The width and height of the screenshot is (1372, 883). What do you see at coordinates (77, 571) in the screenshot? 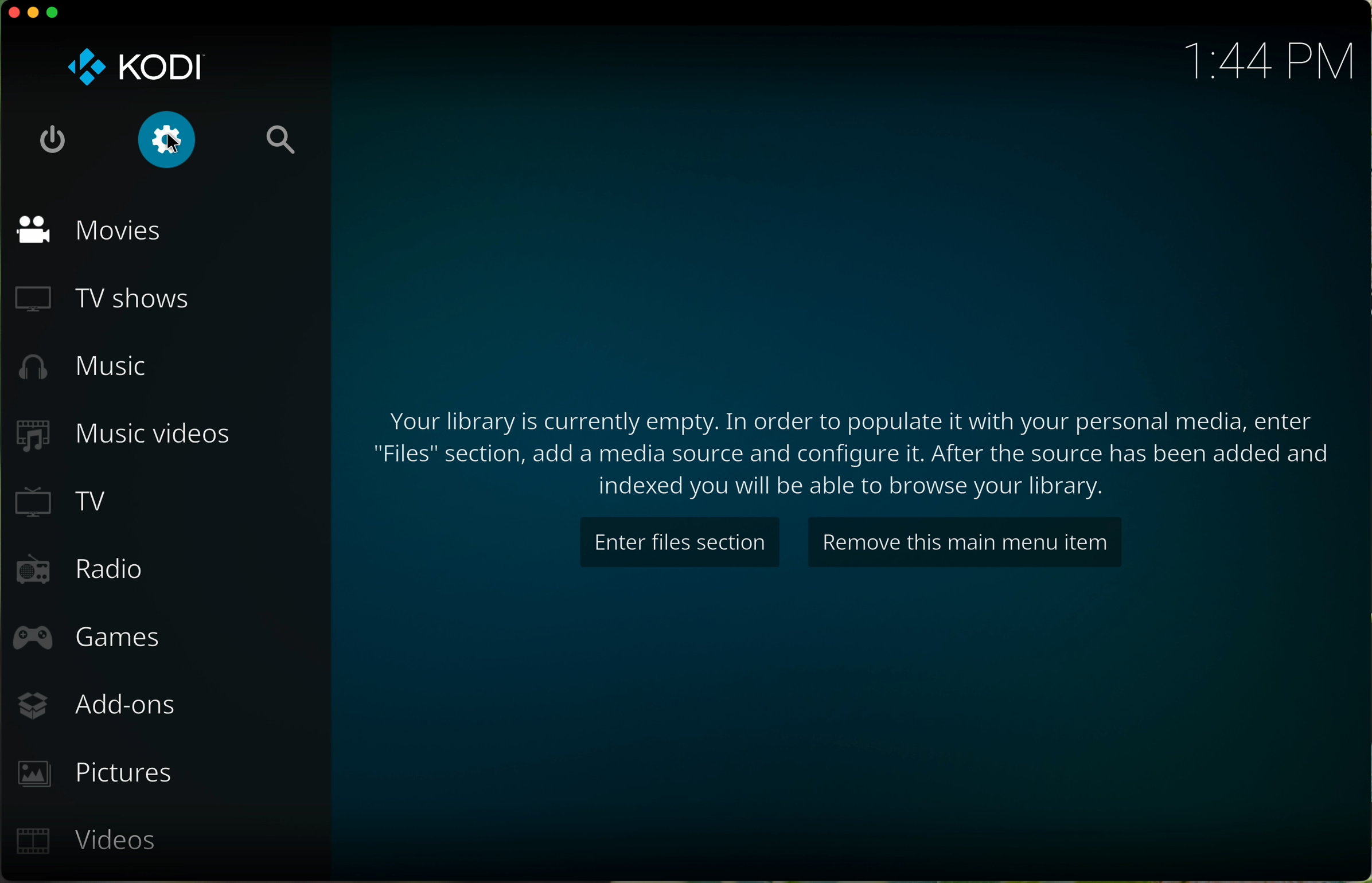
I see `radio` at bounding box center [77, 571].